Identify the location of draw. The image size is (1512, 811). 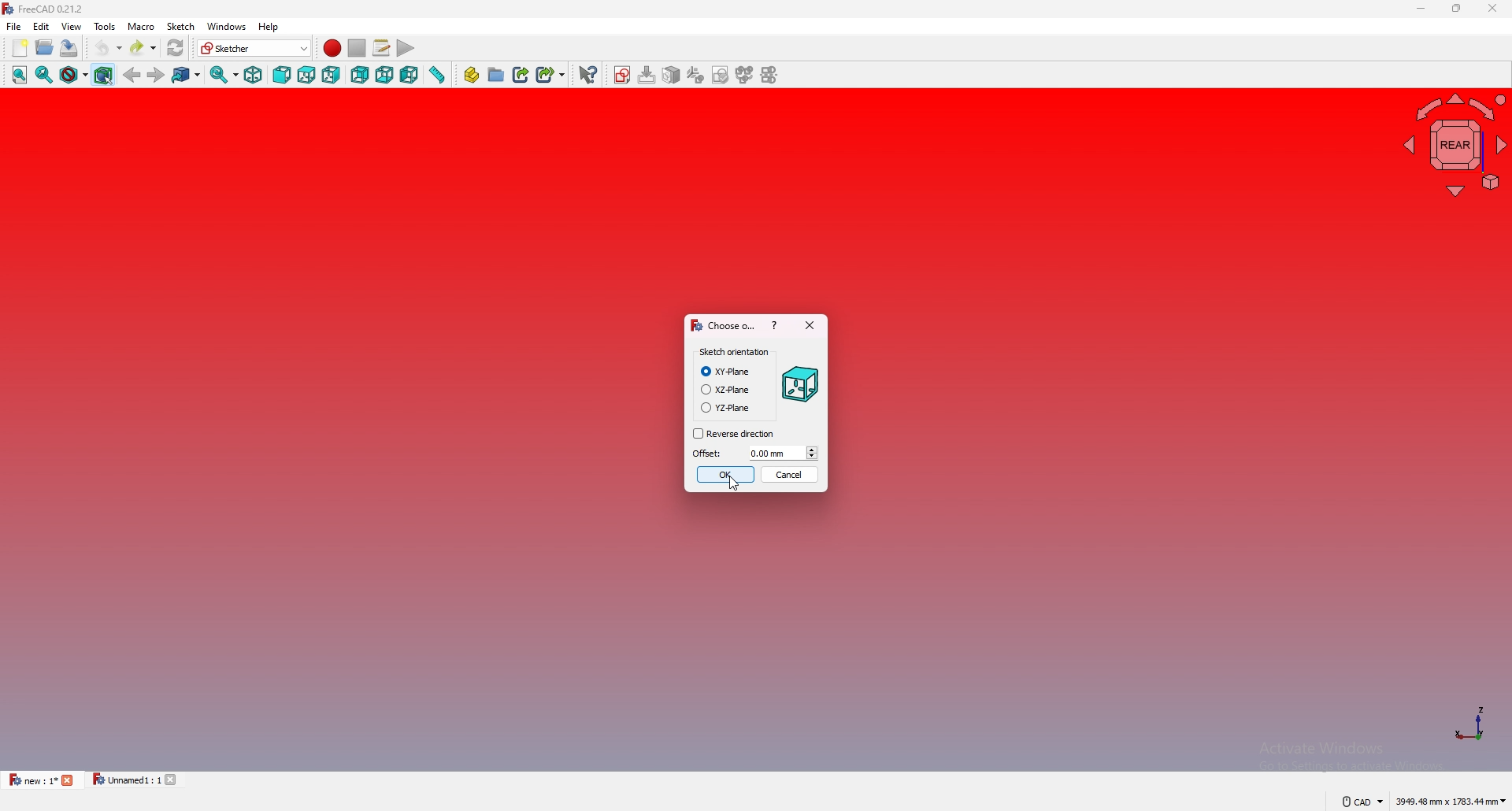
(721, 74).